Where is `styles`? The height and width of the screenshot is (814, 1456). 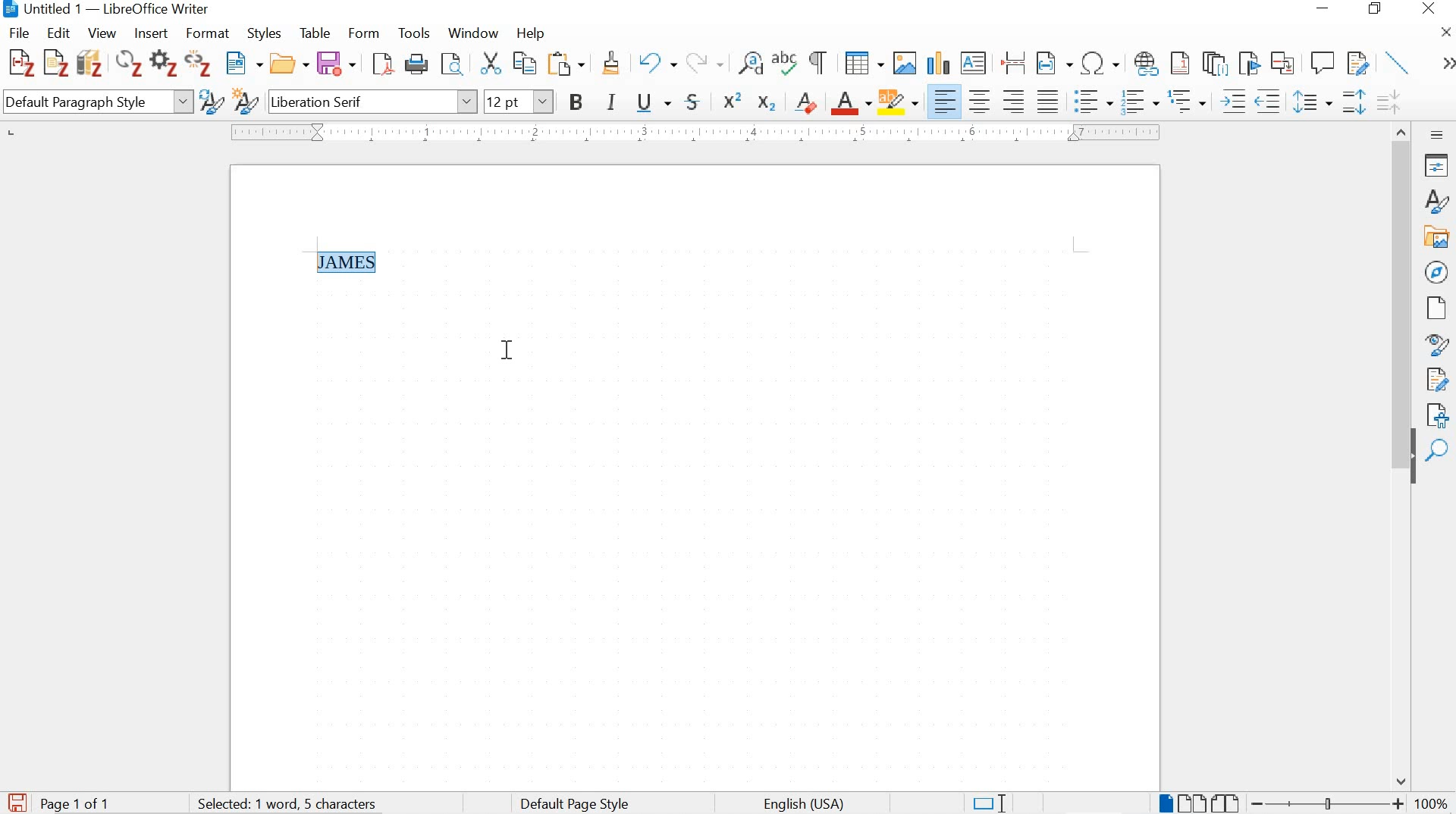 styles is located at coordinates (267, 35).